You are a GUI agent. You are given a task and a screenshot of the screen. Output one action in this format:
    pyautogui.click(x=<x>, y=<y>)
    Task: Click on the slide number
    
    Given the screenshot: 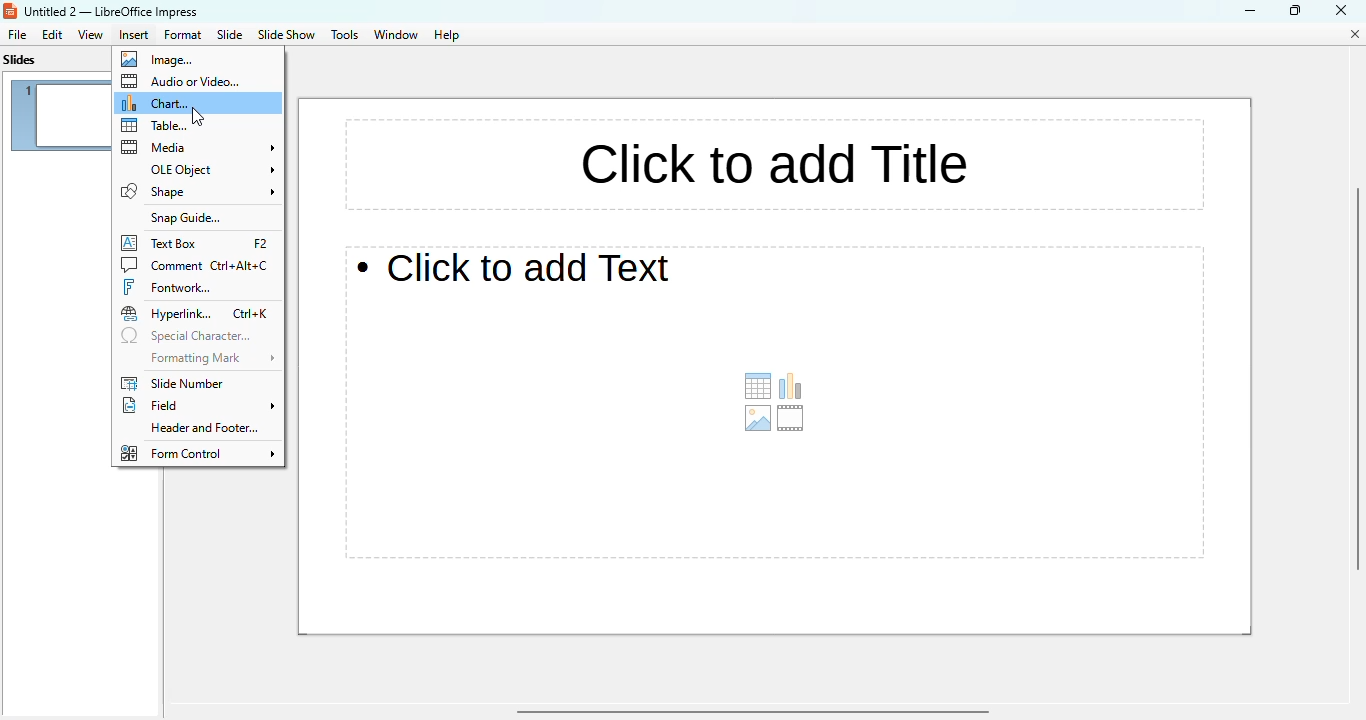 What is the action you would take?
    pyautogui.click(x=172, y=383)
    